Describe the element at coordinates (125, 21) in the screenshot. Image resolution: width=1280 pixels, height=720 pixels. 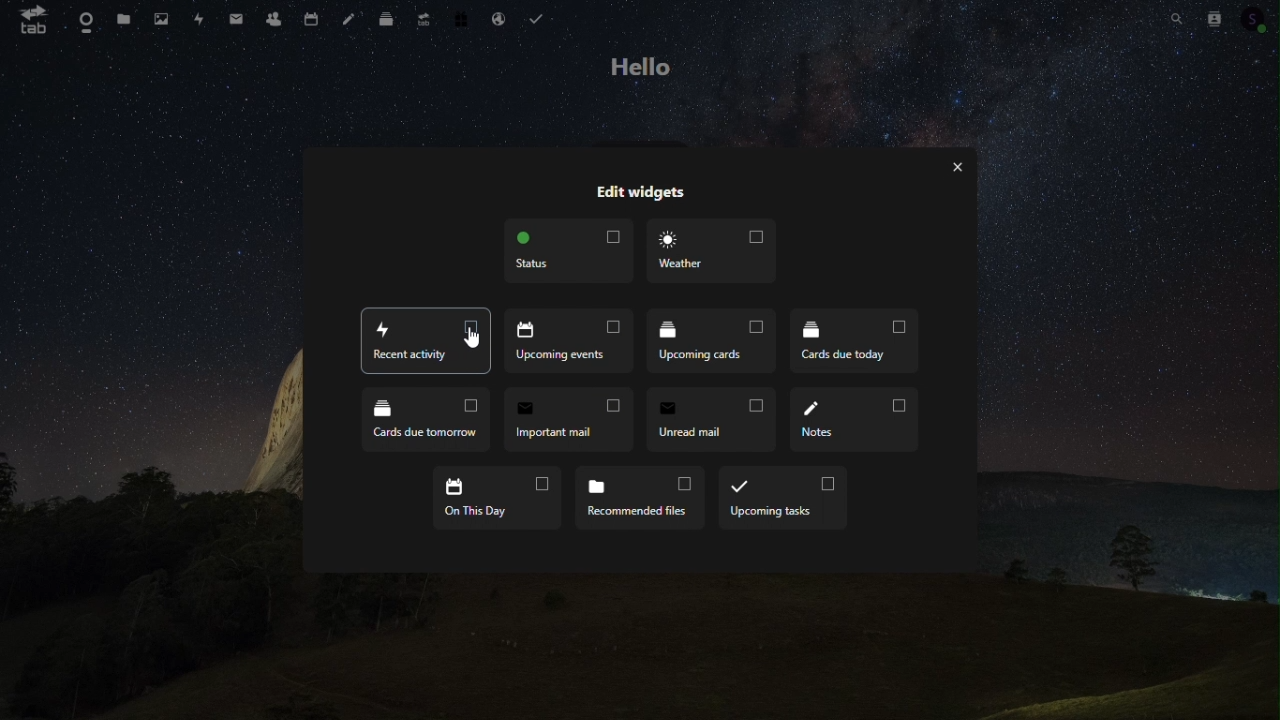
I see `Files` at that location.